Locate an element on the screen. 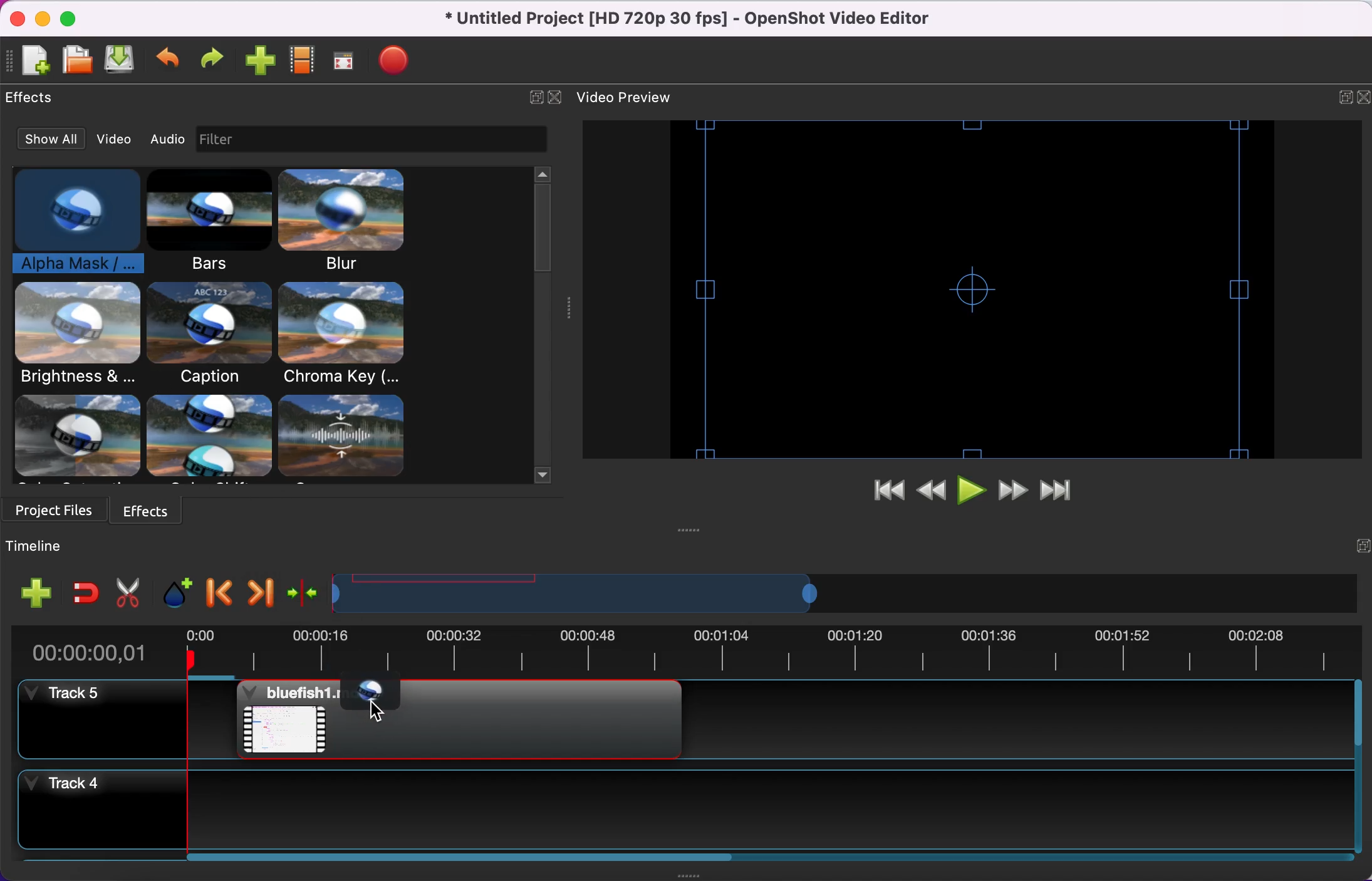 Image resolution: width=1372 pixels, height=881 pixels. close is located at coordinates (1363, 102).